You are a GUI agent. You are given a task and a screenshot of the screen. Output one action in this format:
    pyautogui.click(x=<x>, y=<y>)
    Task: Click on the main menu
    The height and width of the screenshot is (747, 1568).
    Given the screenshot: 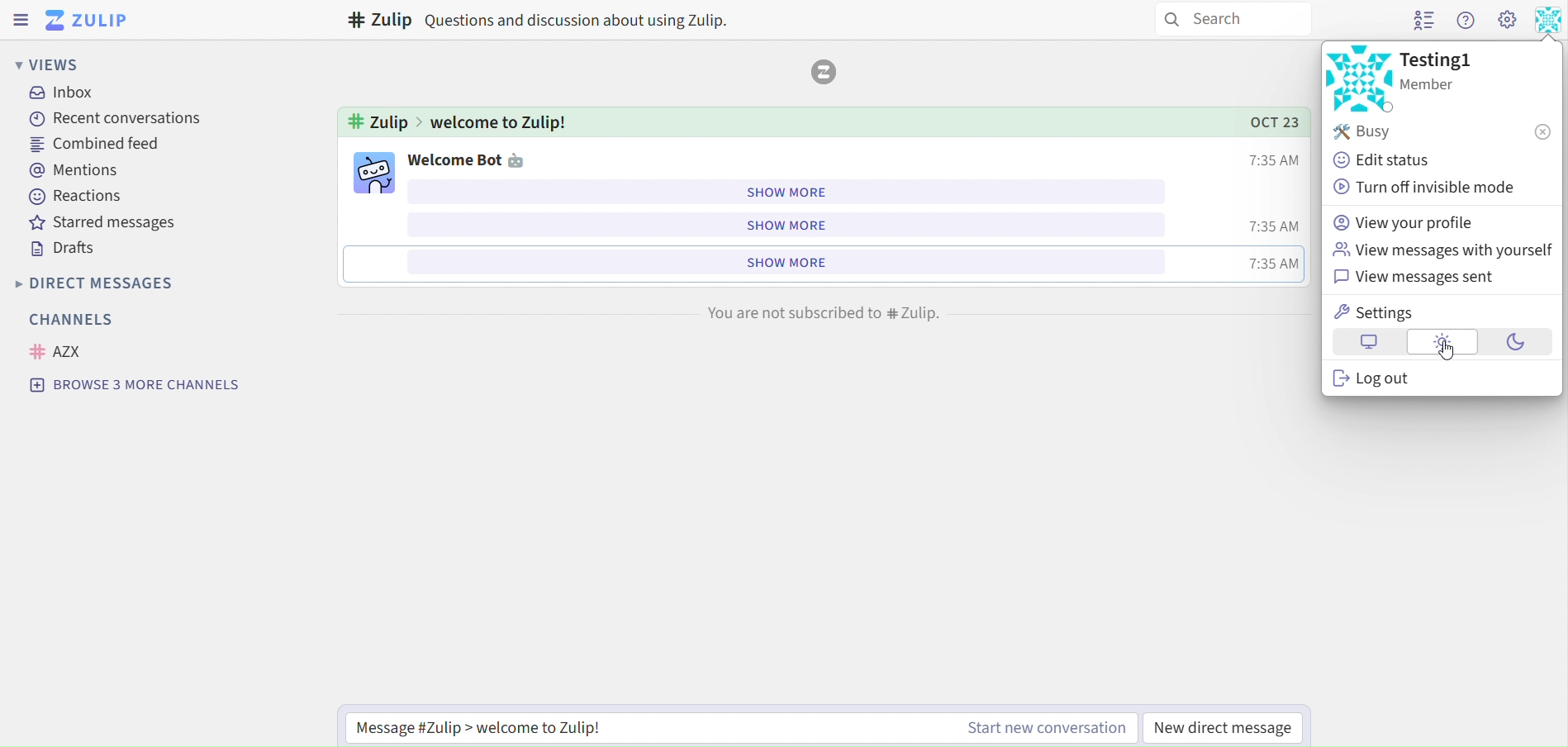 What is the action you would take?
    pyautogui.click(x=1508, y=20)
    